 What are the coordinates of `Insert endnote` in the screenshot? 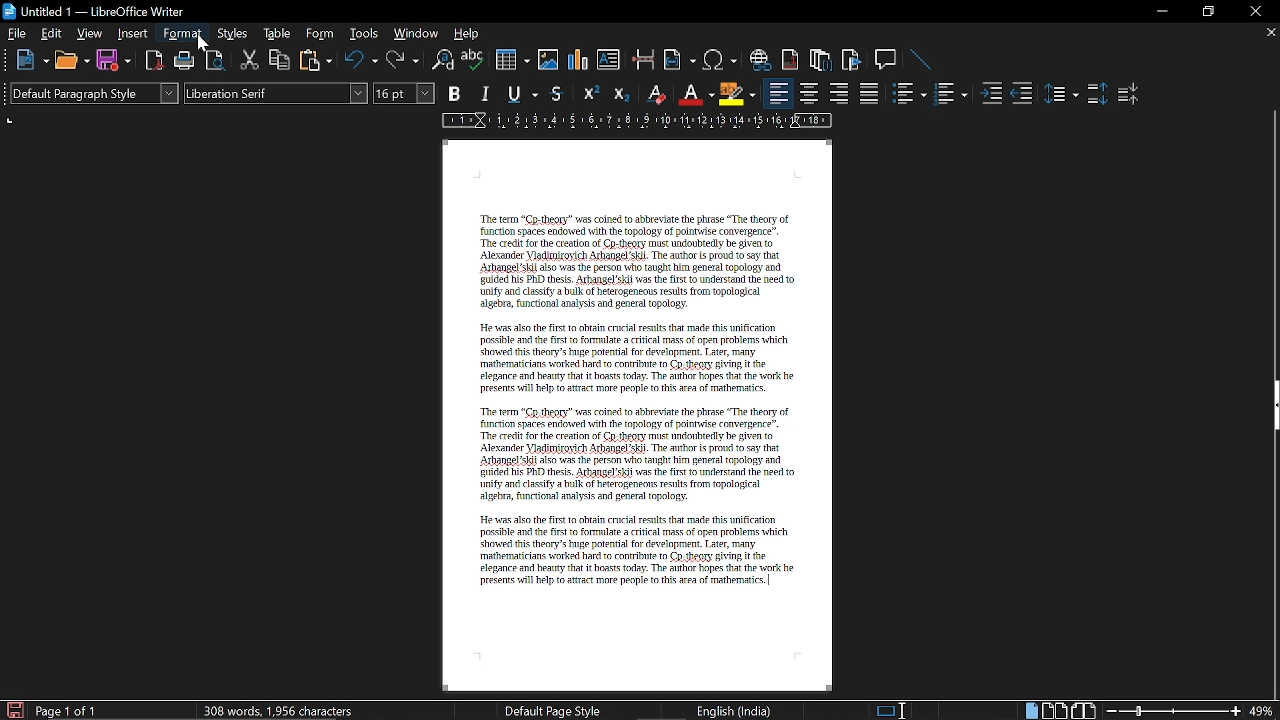 It's located at (790, 59).